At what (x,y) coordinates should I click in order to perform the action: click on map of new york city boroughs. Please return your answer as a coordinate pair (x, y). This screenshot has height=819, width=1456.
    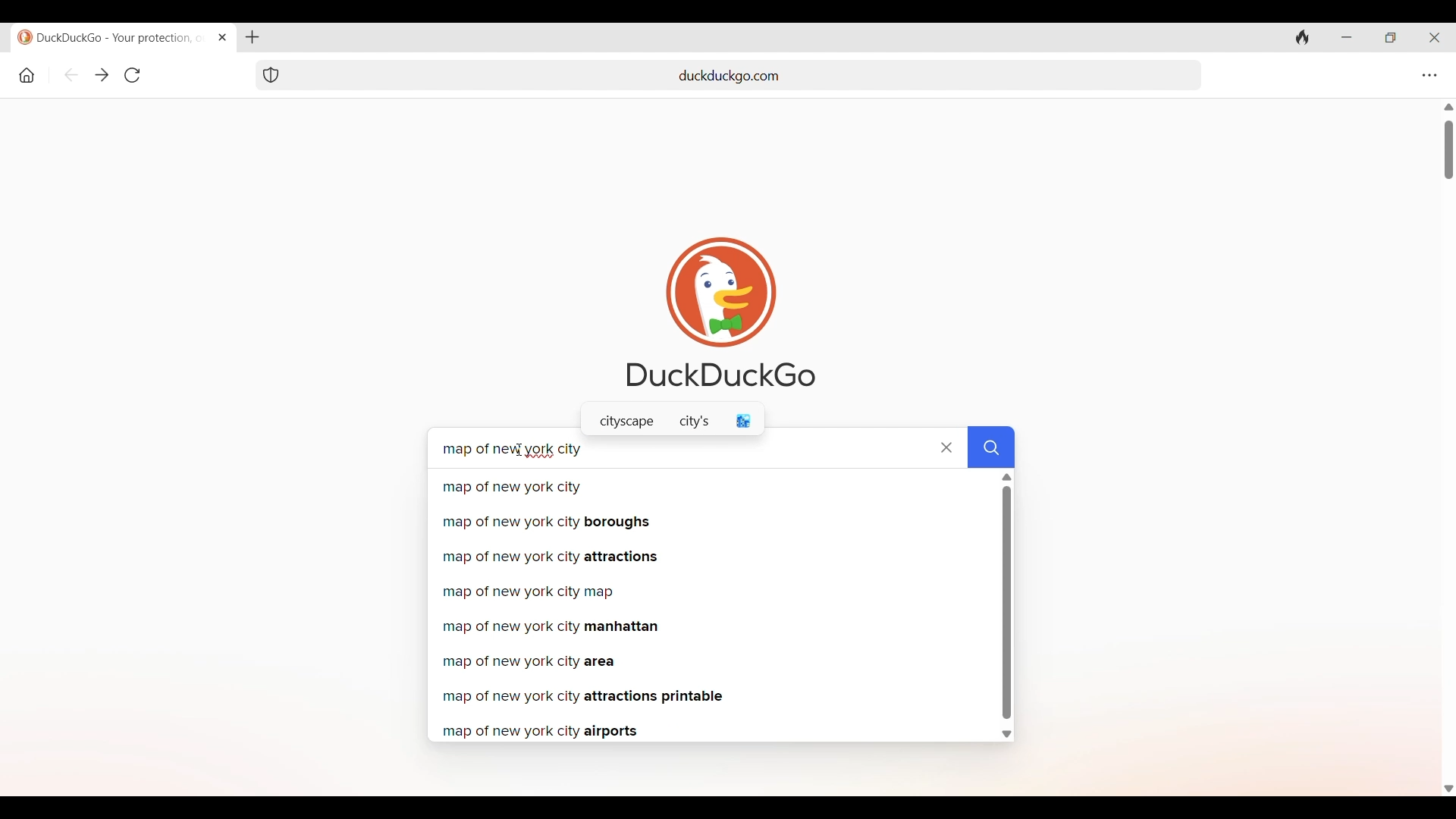
    Looking at the image, I should click on (711, 522).